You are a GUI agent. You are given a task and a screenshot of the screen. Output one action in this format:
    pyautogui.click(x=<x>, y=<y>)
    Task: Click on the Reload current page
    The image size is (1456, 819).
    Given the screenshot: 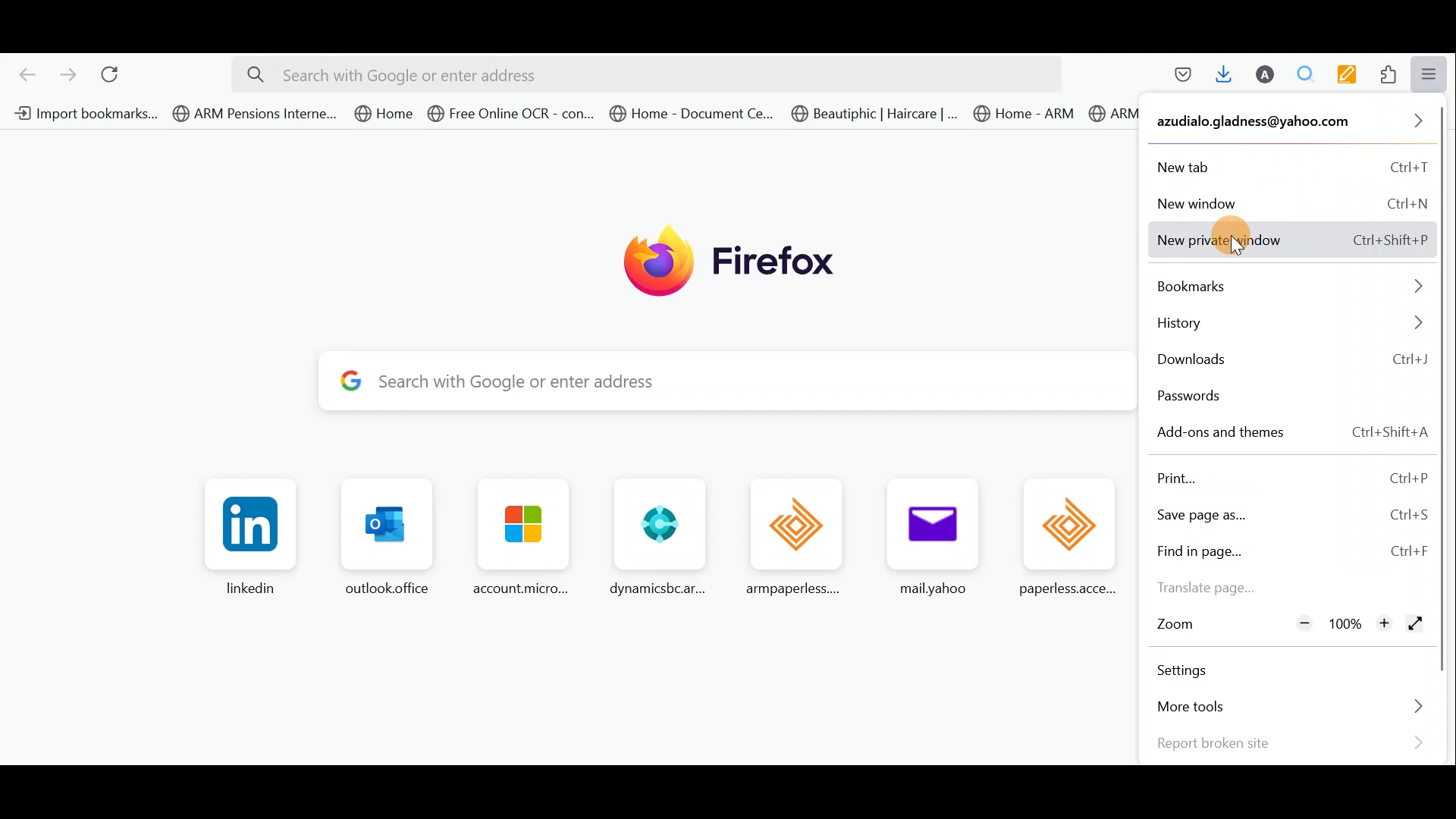 What is the action you would take?
    pyautogui.click(x=116, y=72)
    